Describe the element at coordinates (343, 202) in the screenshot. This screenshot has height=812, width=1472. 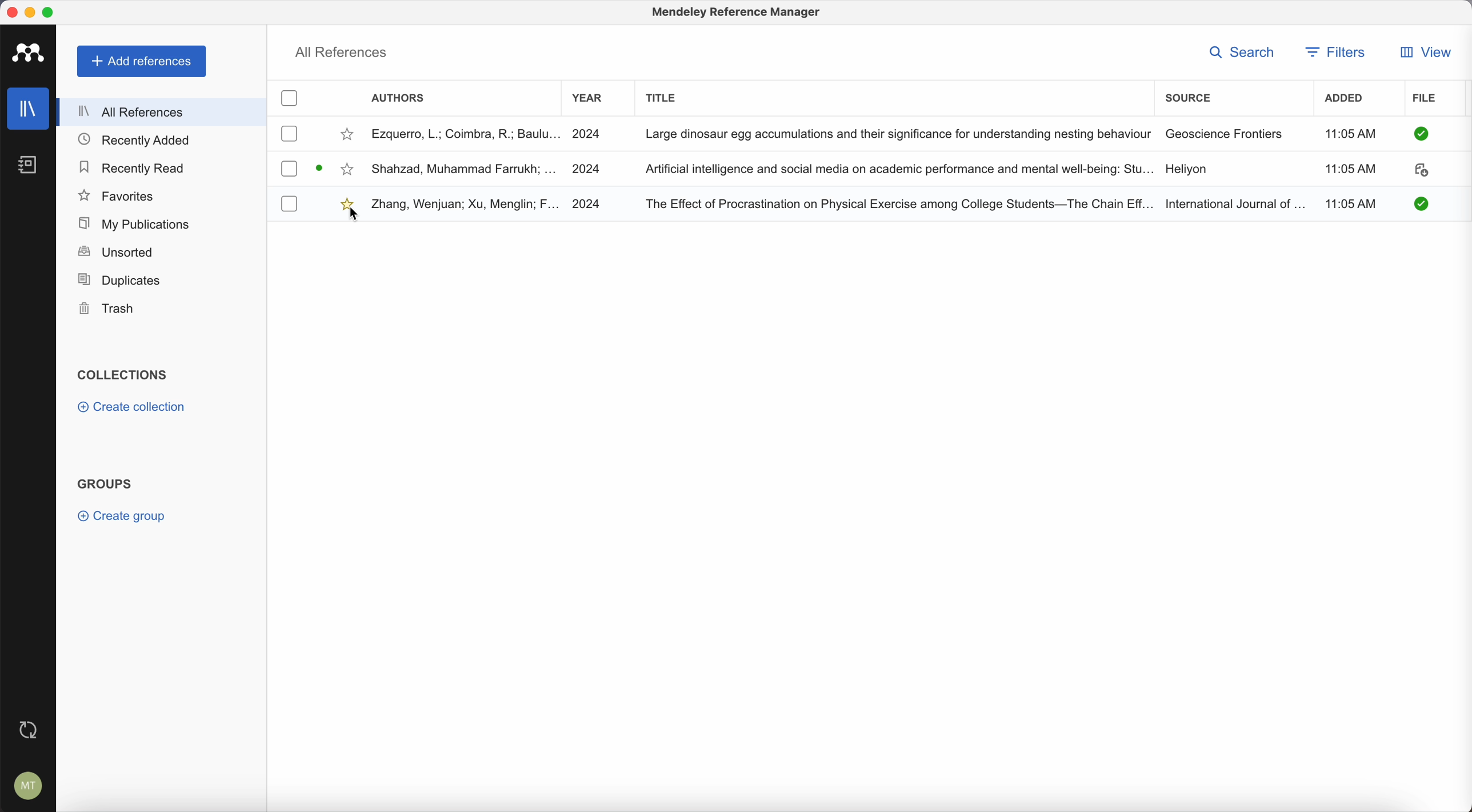
I see `favorite` at that location.